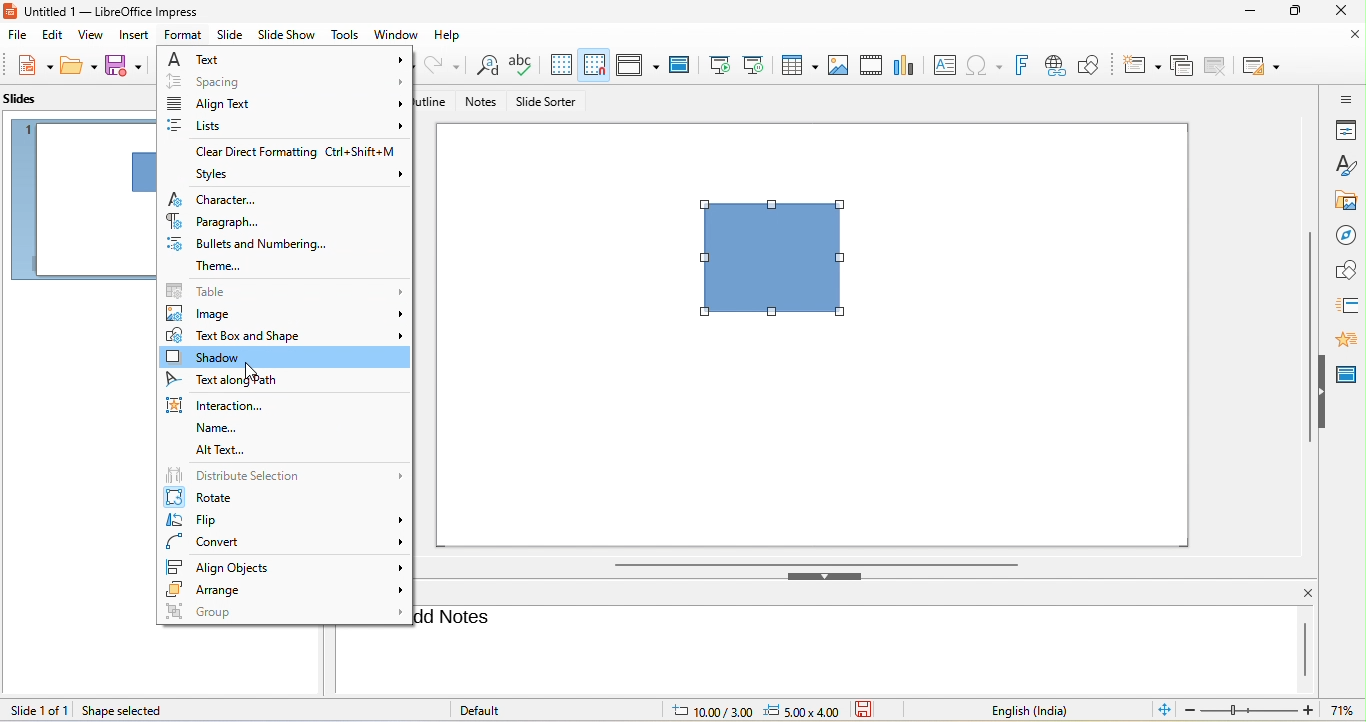 Image resolution: width=1366 pixels, height=722 pixels. What do you see at coordinates (677, 63) in the screenshot?
I see `master slide` at bounding box center [677, 63].